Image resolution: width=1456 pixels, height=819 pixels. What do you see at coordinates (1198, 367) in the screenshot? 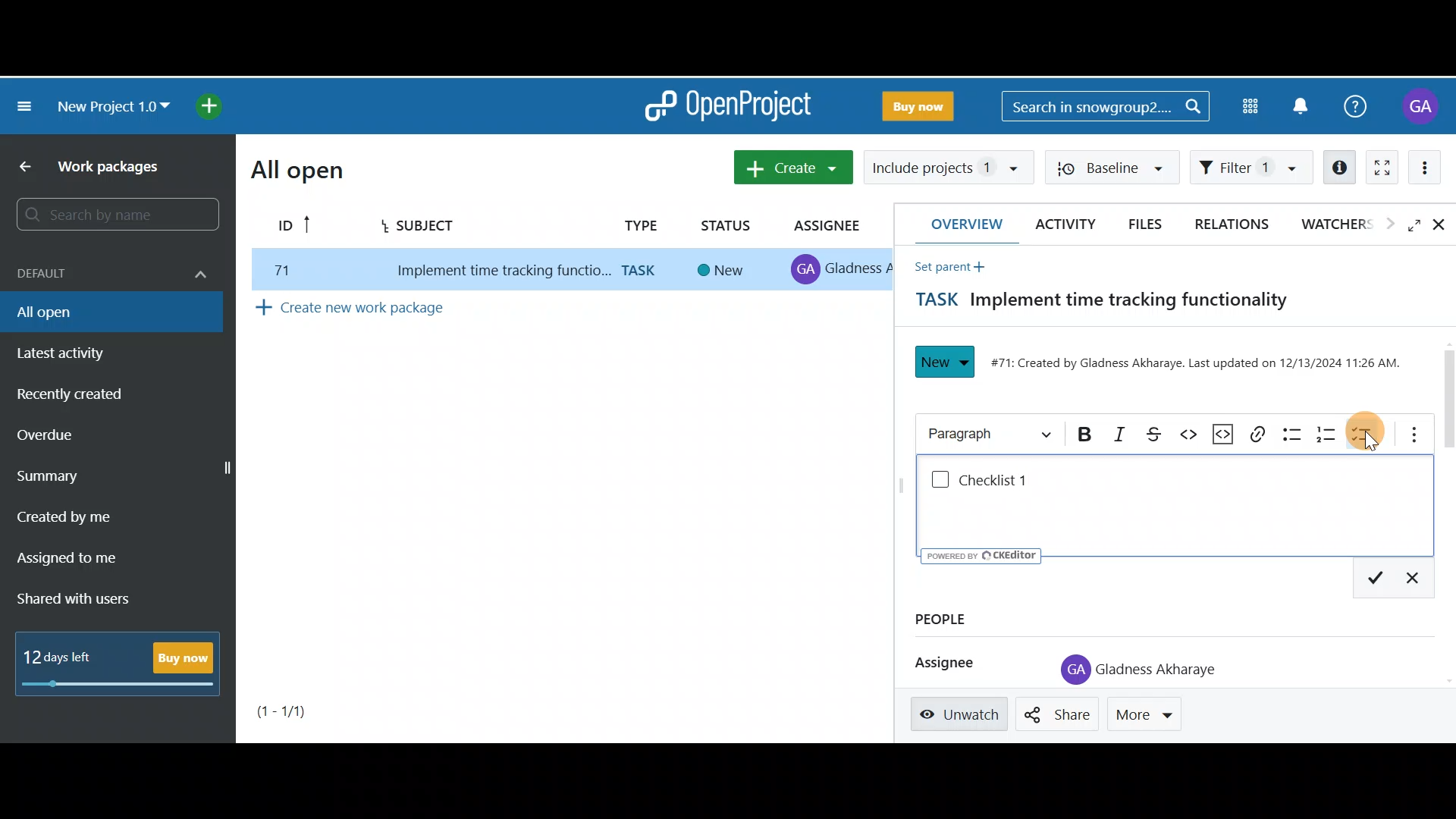
I see `#71: Created by Gladness Akharaye. Last updated on 12/13/2024 11:26 AM.` at bounding box center [1198, 367].